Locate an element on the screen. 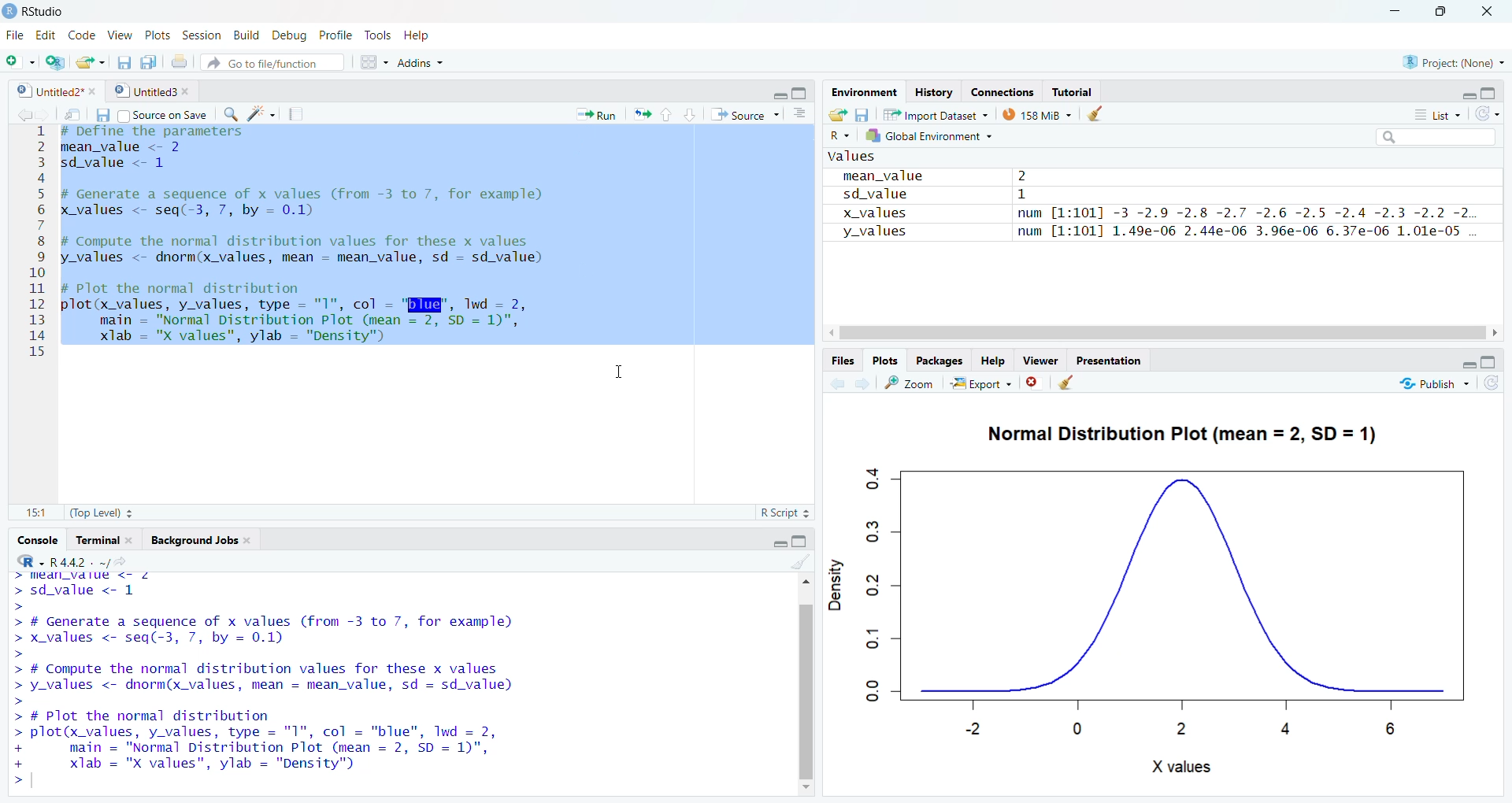  © List + is located at coordinates (1437, 113).